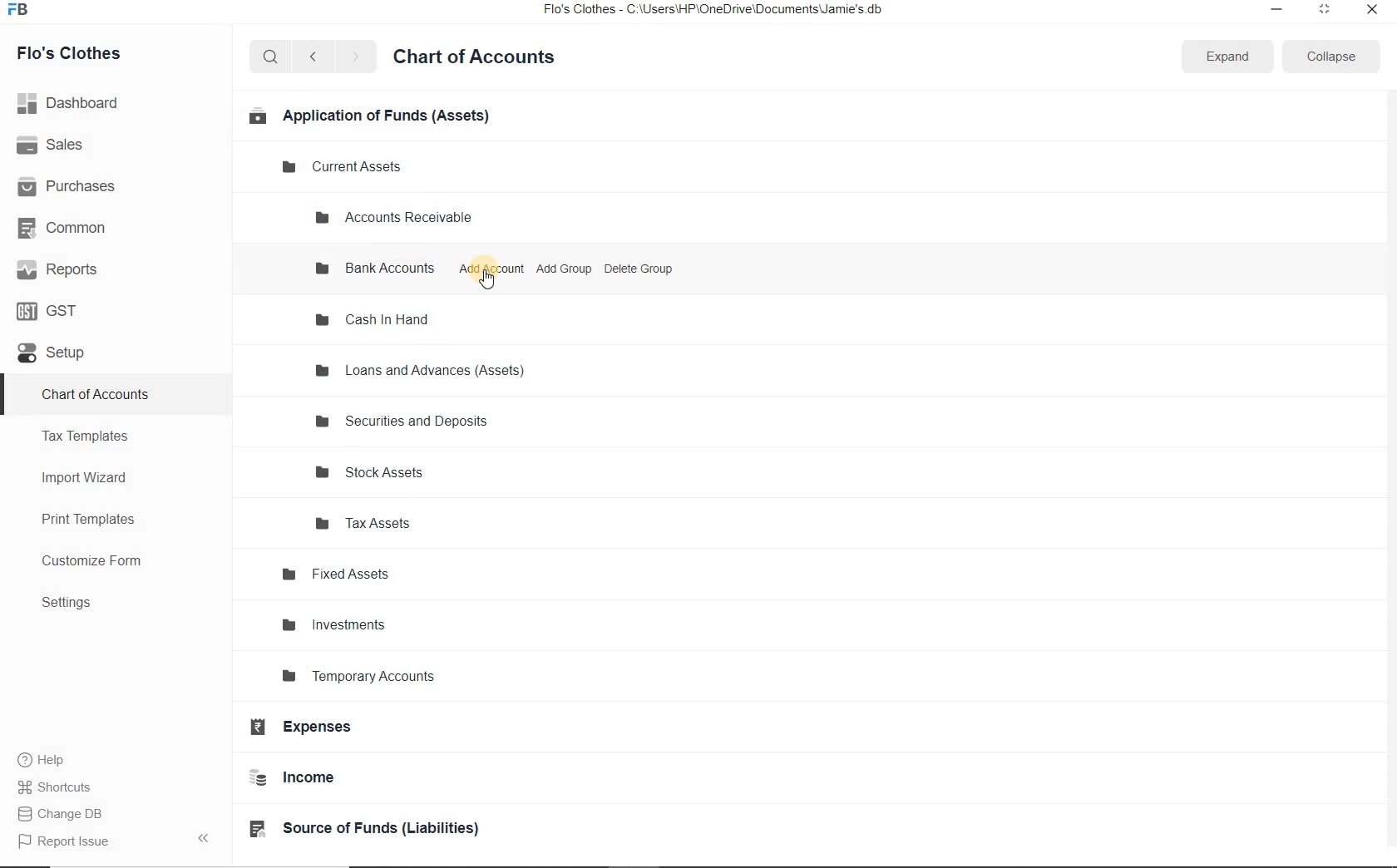 The image size is (1397, 868). Describe the element at coordinates (1228, 56) in the screenshot. I see `Expand` at that location.